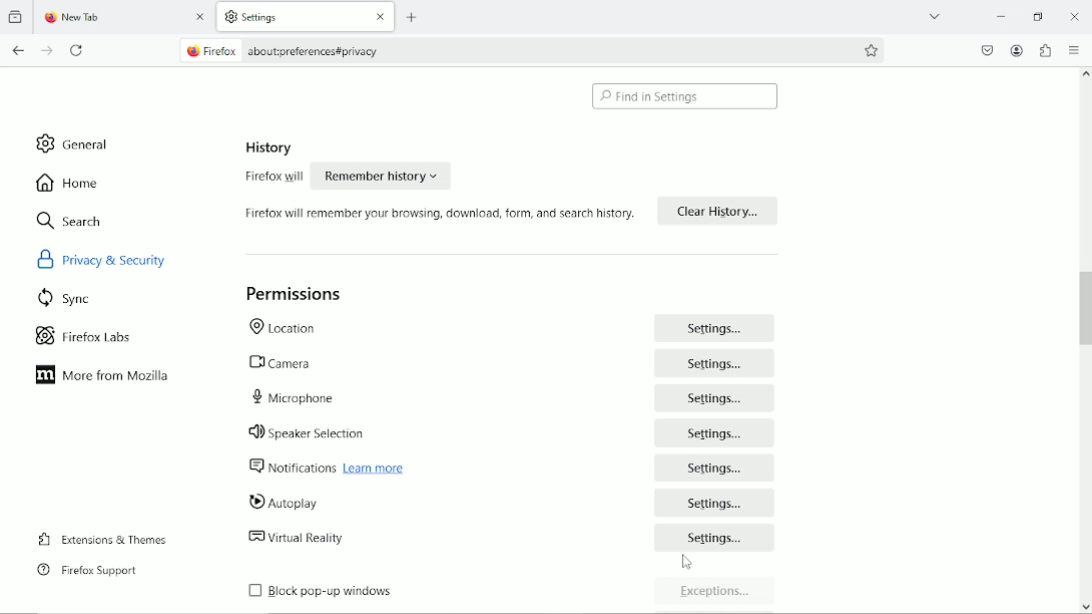 This screenshot has width=1092, height=614. What do you see at coordinates (714, 539) in the screenshot?
I see `Settings...` at bounding box center [714, 539].